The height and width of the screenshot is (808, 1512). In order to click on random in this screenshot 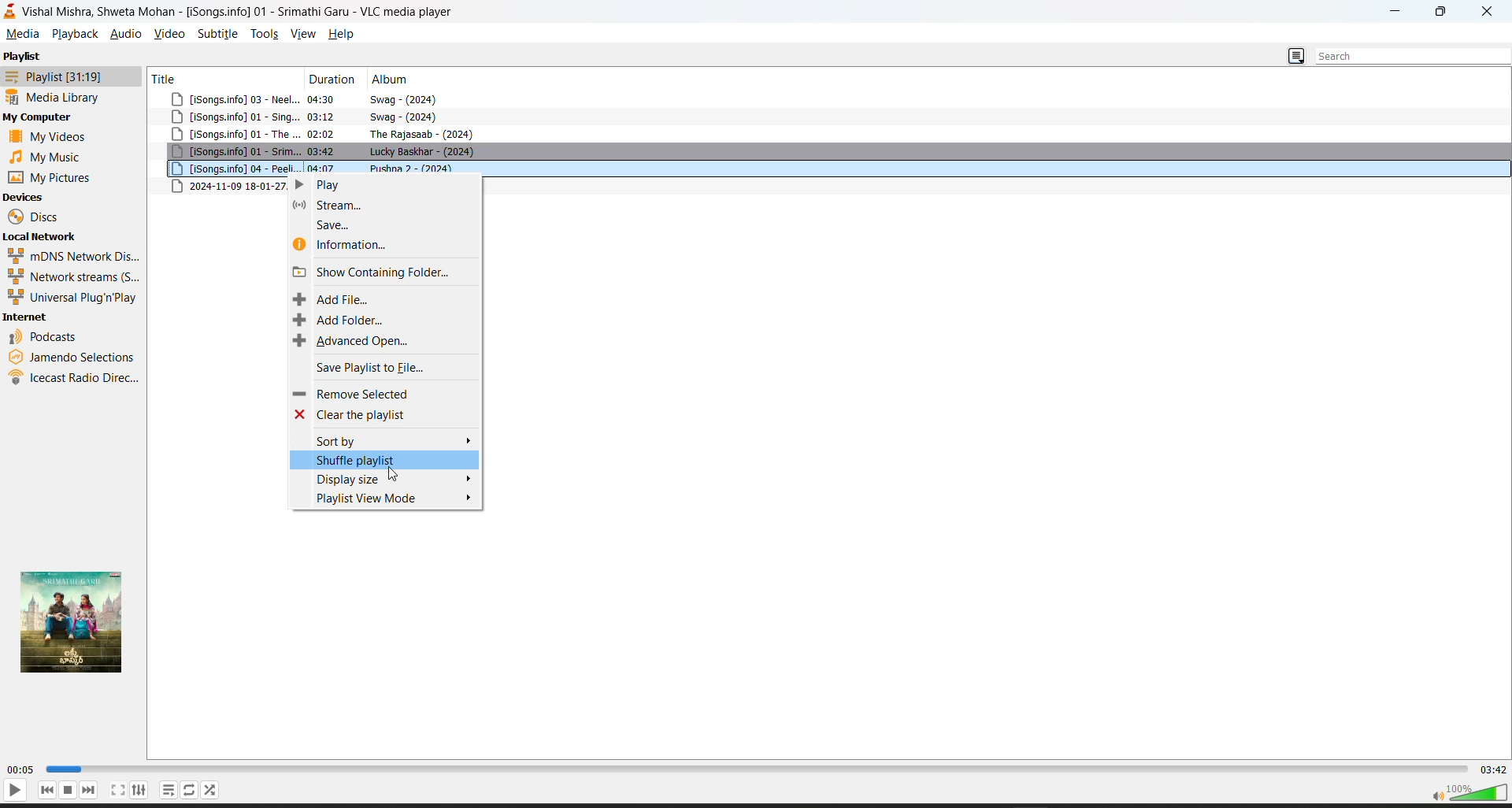, I will do `click(214, 790)`.